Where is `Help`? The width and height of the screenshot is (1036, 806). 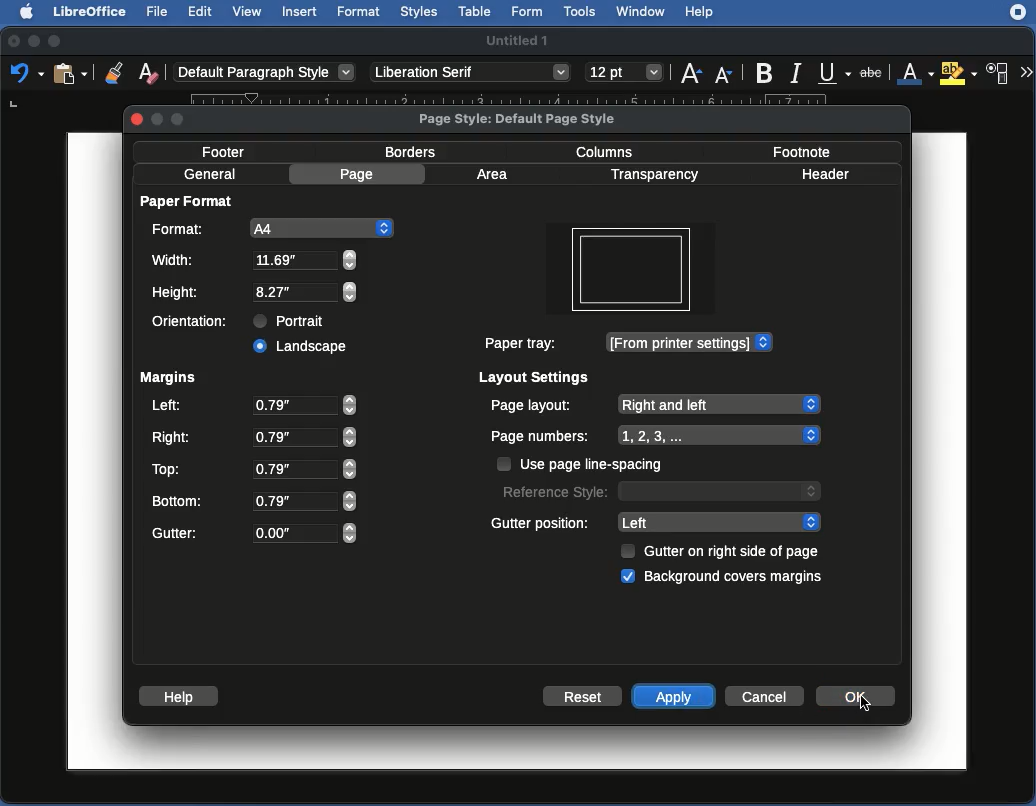 Help is located at coordinates (704, 12).